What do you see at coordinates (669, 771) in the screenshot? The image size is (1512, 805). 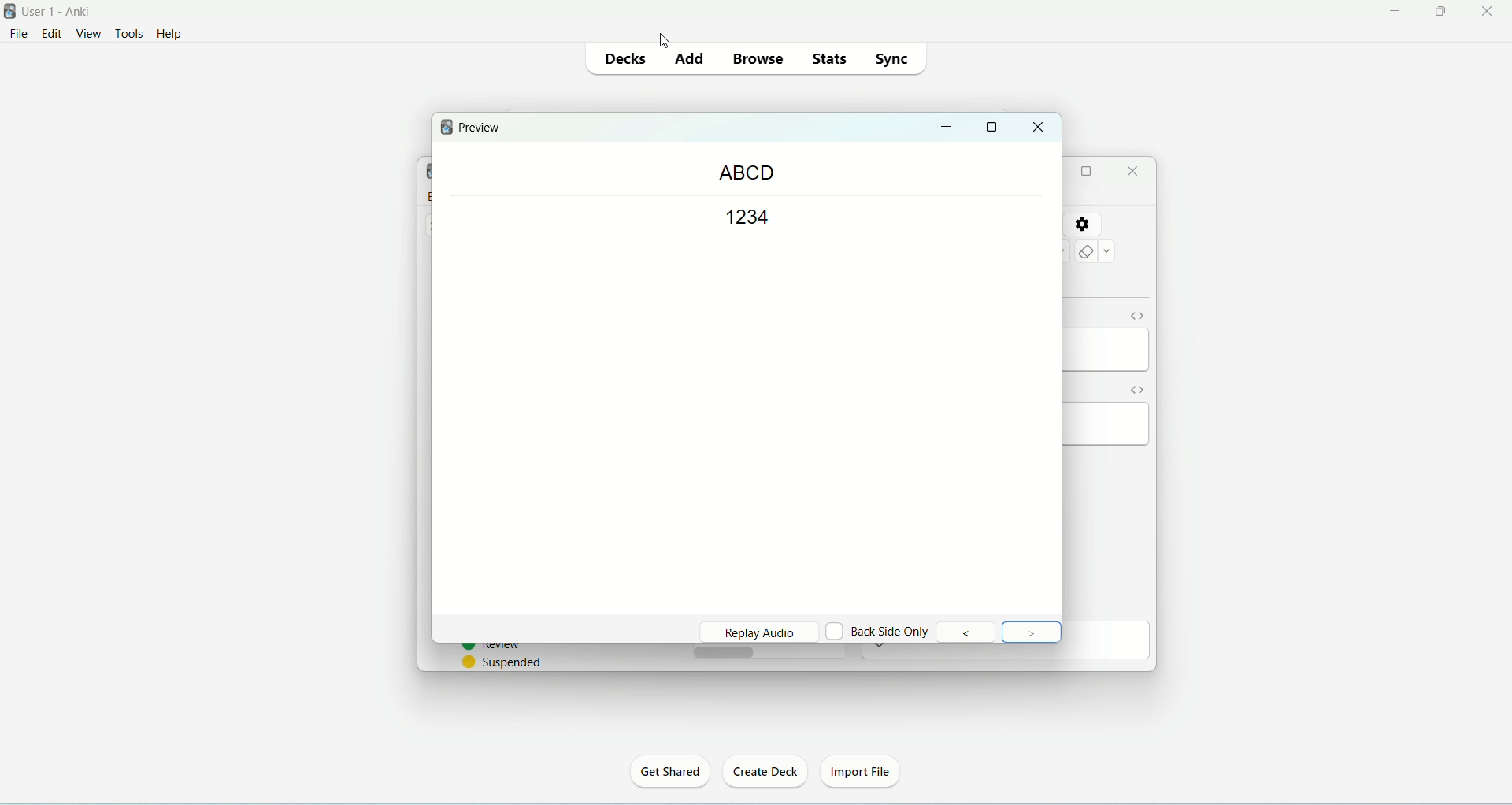 I see `get shared` at bounding box center [669, 771].